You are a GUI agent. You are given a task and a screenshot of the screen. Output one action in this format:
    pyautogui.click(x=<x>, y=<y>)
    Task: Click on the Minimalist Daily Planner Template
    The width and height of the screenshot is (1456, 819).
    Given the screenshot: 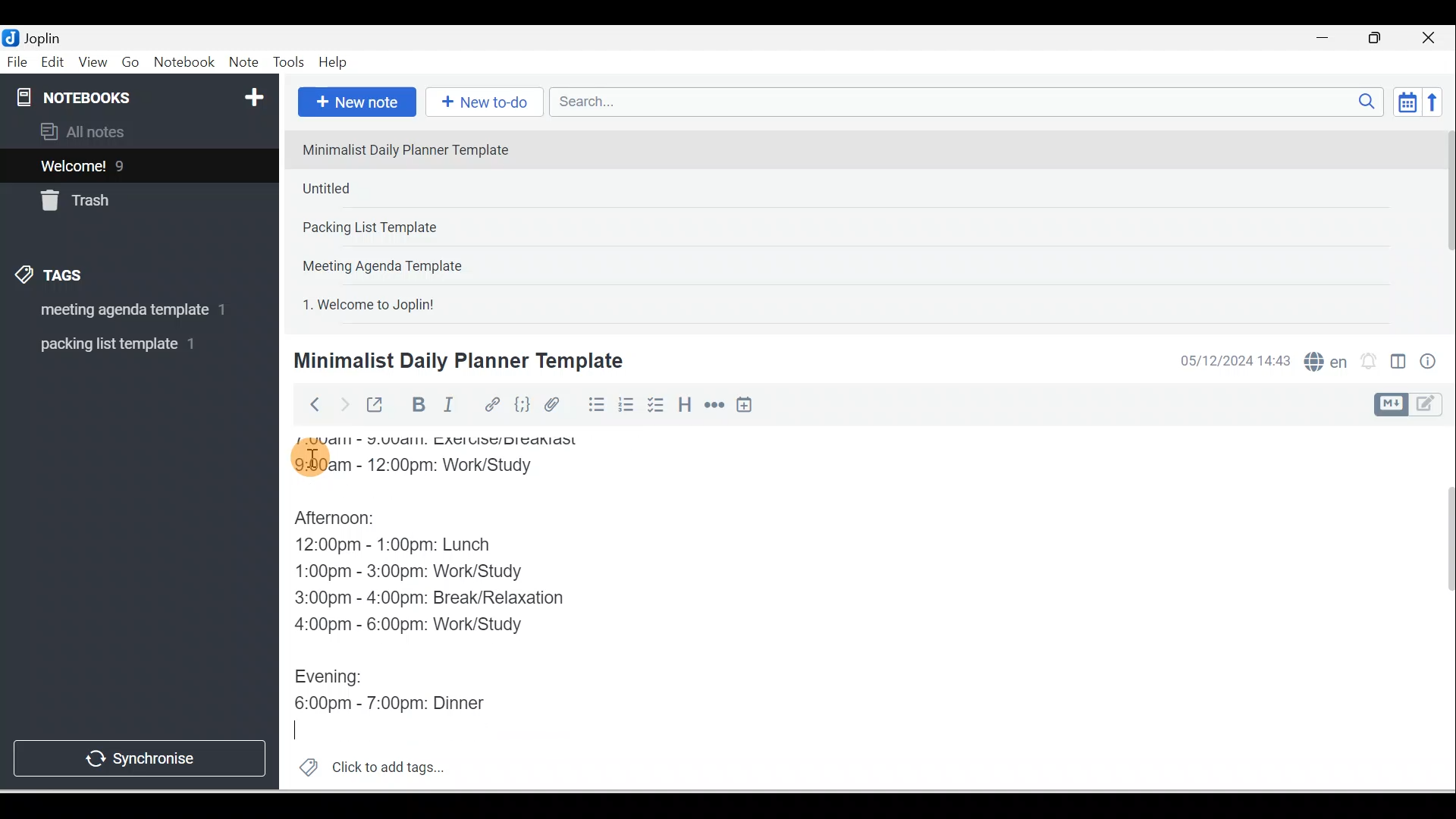 What is the action you would take?
    pyautogui.click(x=456, y=361)
    